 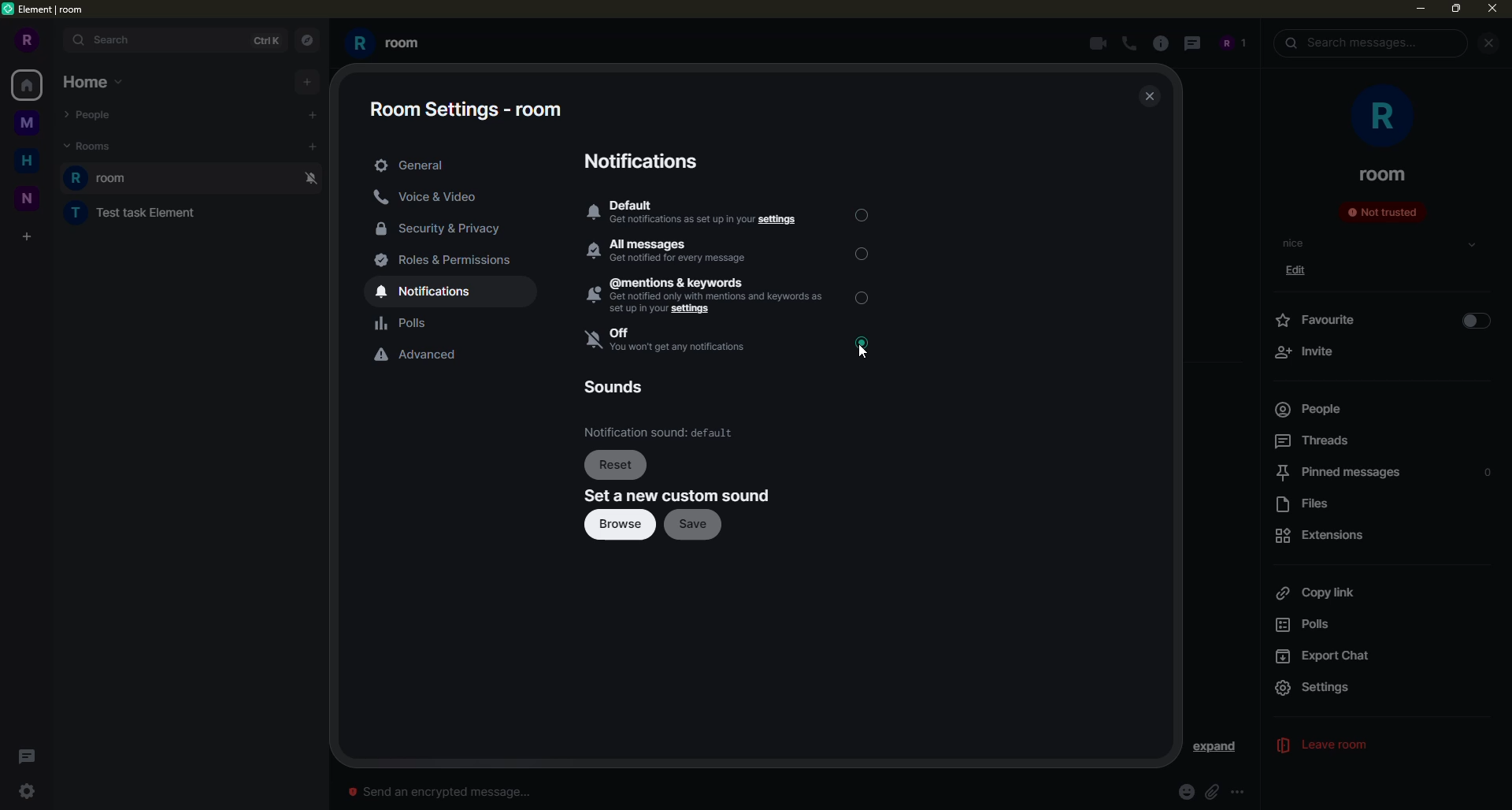 I want to click on H, so click(x=26, y=161).